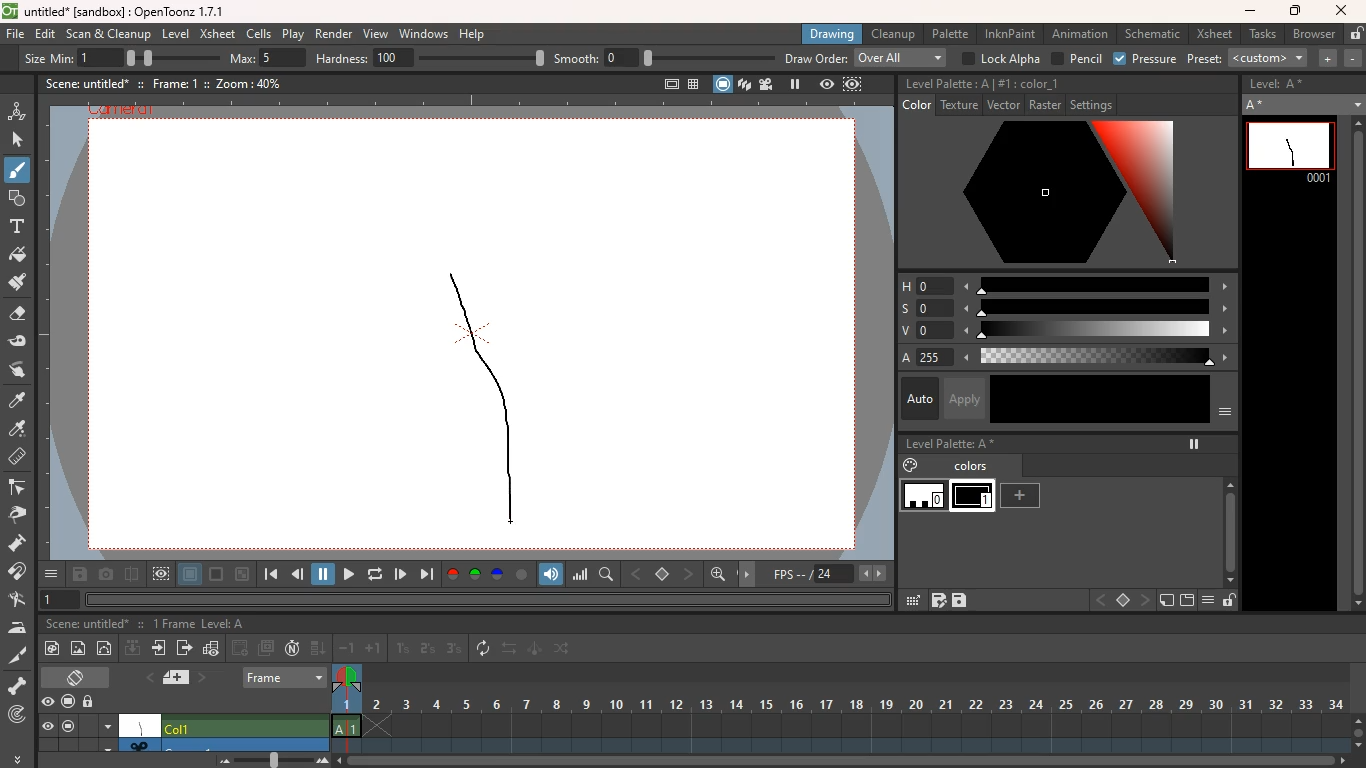 This screenshot has height=768, width=1366. Describe the element at coordinates (21, 179) in the screenshot. I see `Cursor` at that location.